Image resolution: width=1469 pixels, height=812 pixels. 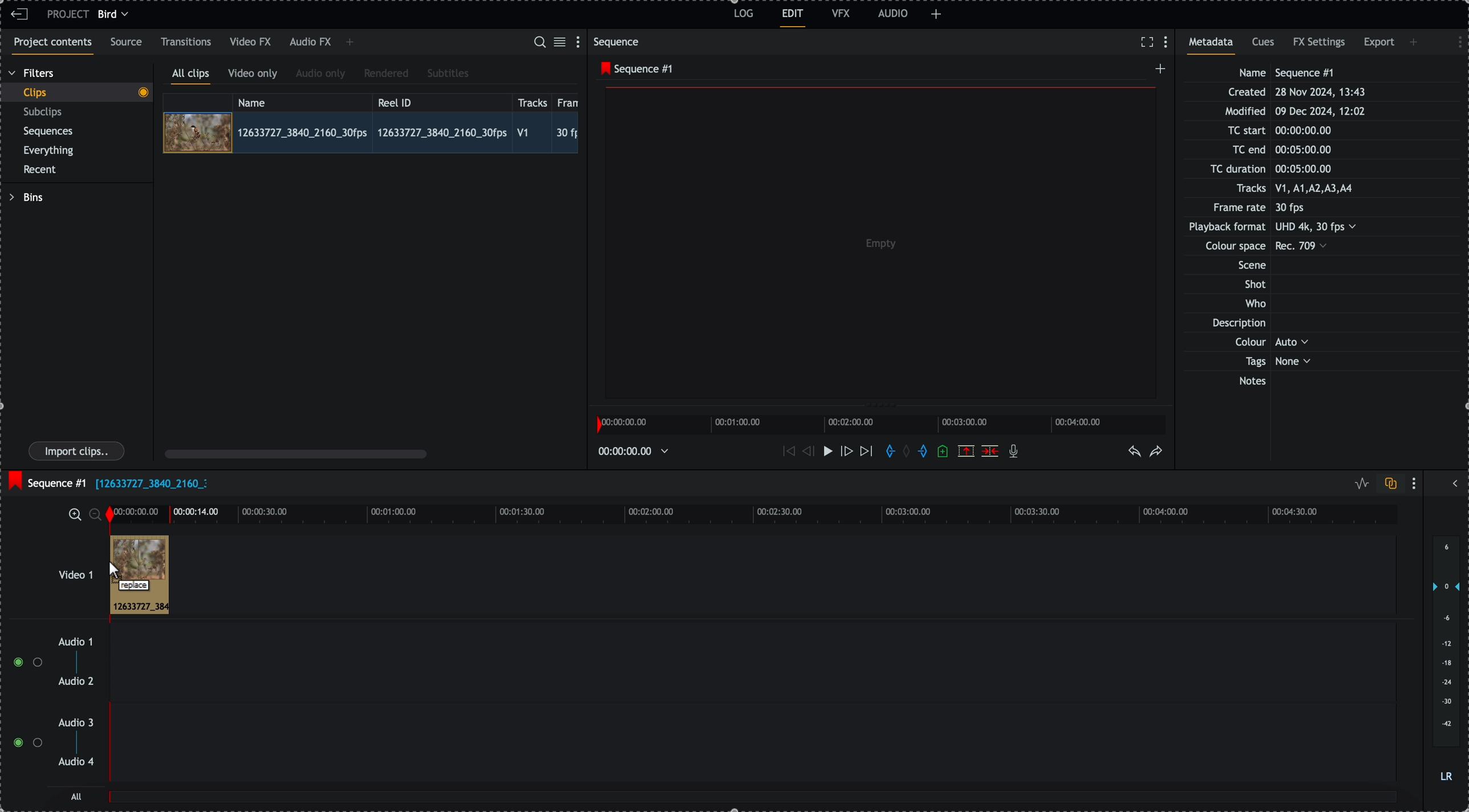 What do you see at coordinates (128, 43) in the screenshot?
I see `source` at bounding box center [128, 43].